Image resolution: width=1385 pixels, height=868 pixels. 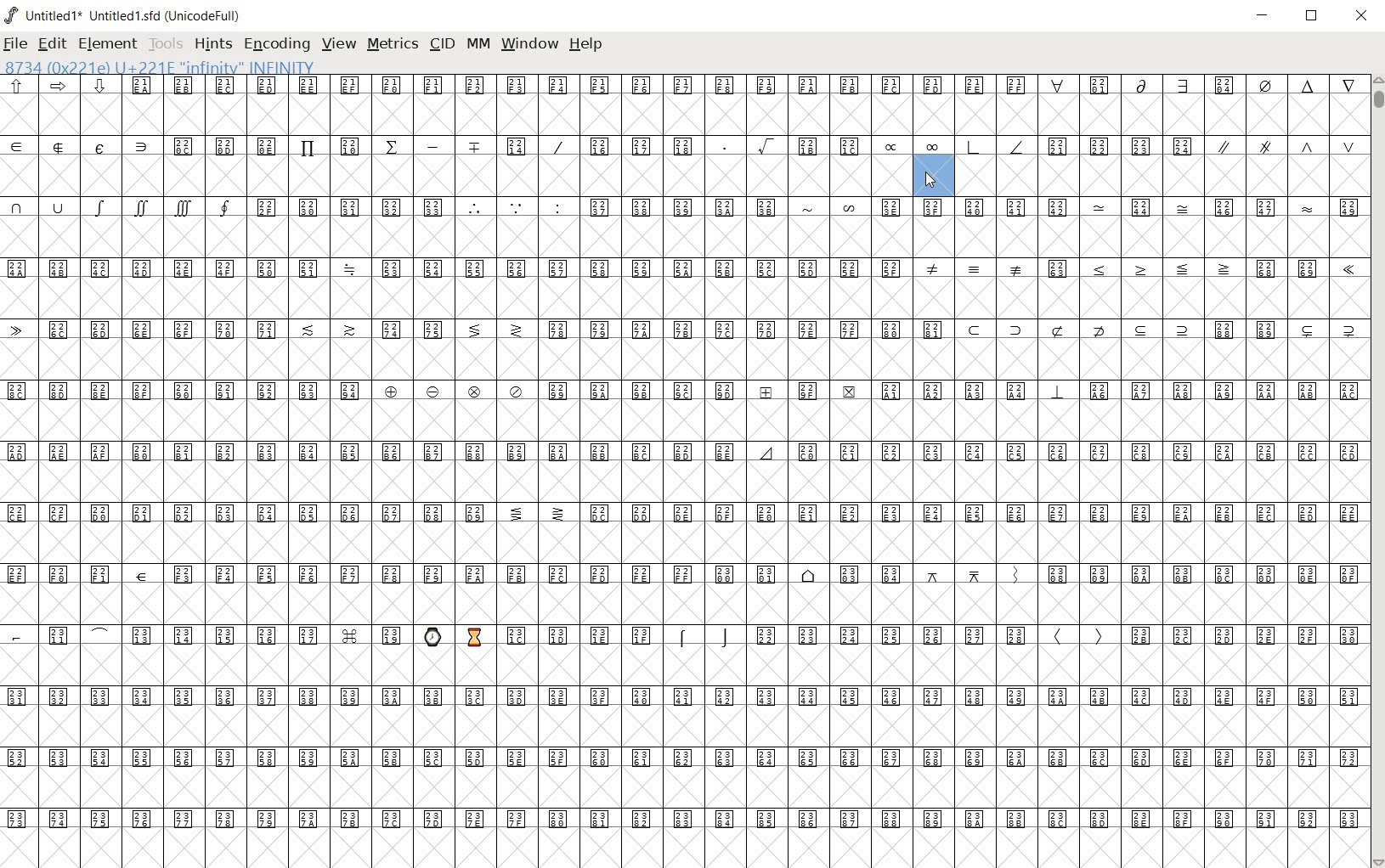 What do you see at coordinates (687, 358) in the screenshot?
I see `empty glyph slots` at bounding box center [687, 358].